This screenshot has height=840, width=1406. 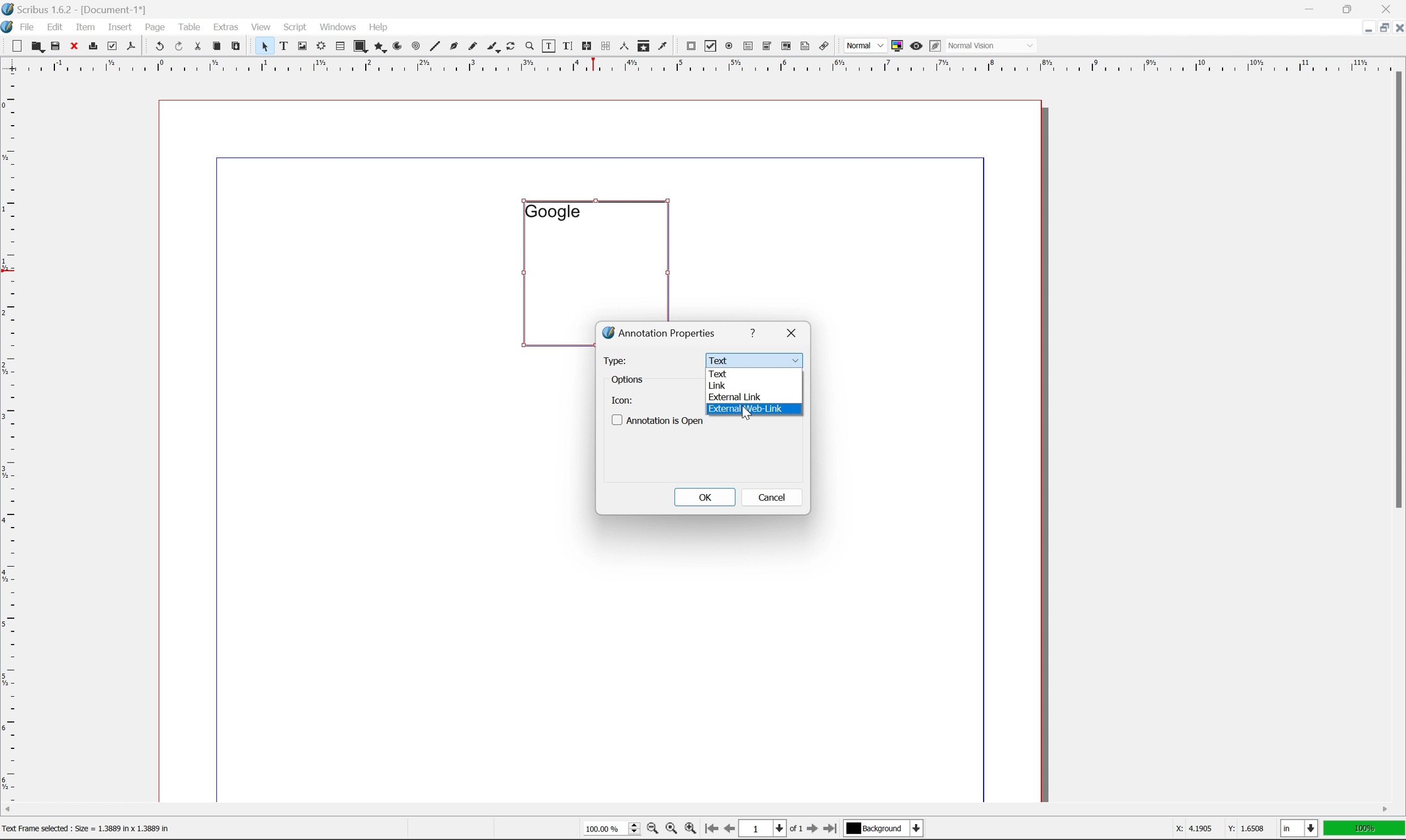 I want to click on open, so click(x=36, y=47).